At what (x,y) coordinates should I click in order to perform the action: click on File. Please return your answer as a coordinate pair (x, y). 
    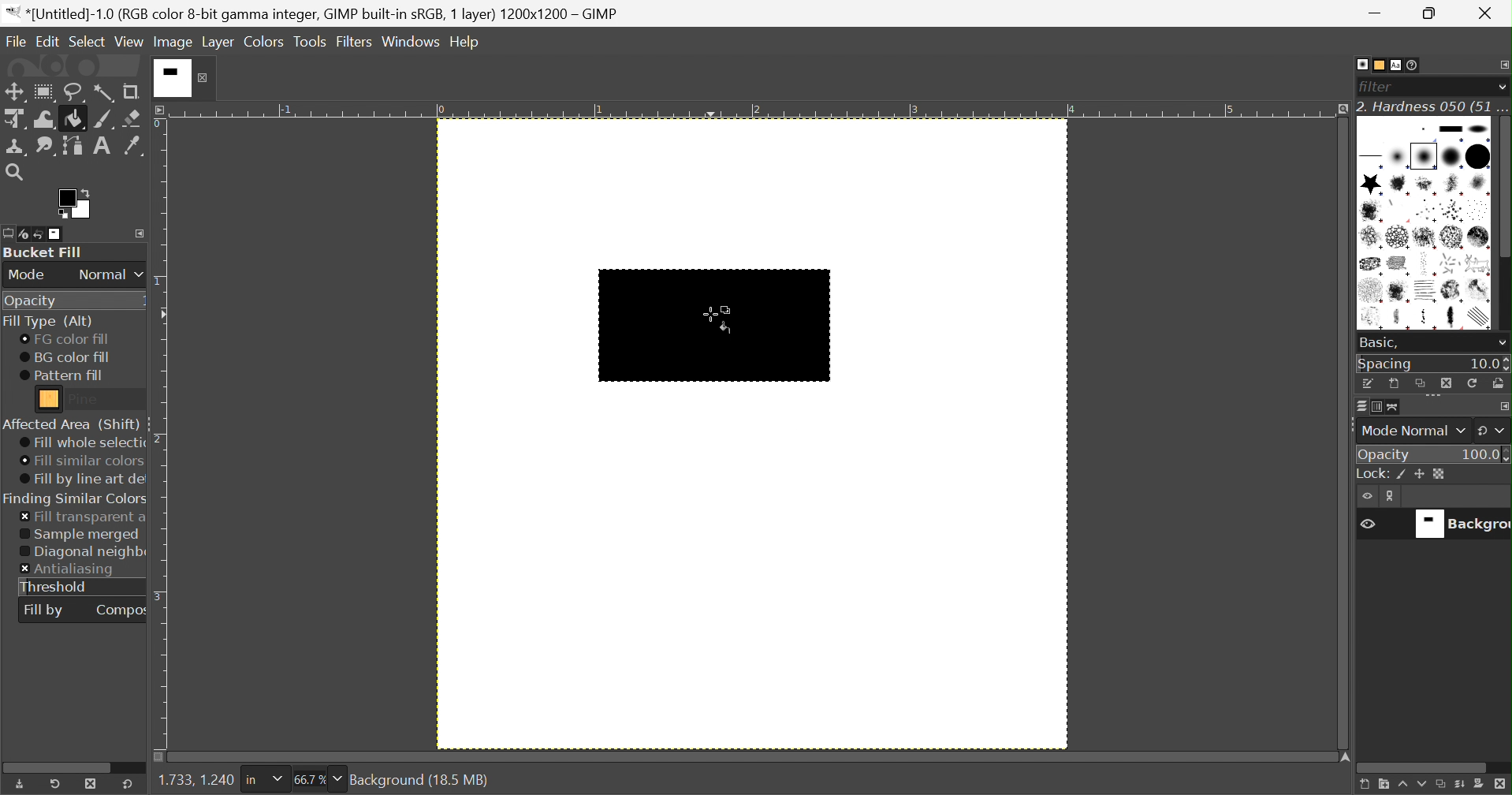
    Looking at the image, I should click on (14, 38).